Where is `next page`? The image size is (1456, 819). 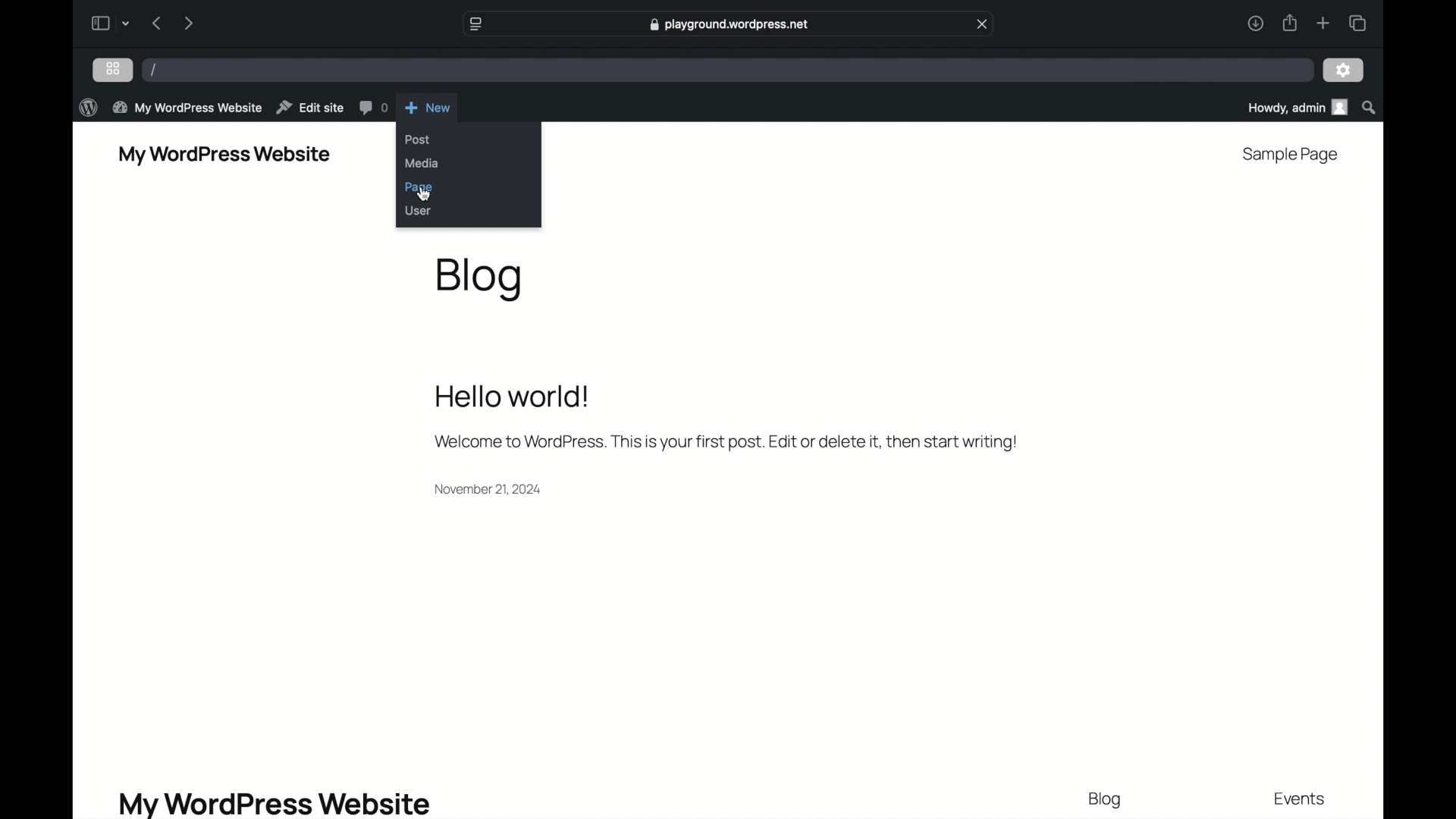
next page is located at coordinates (188, 22).